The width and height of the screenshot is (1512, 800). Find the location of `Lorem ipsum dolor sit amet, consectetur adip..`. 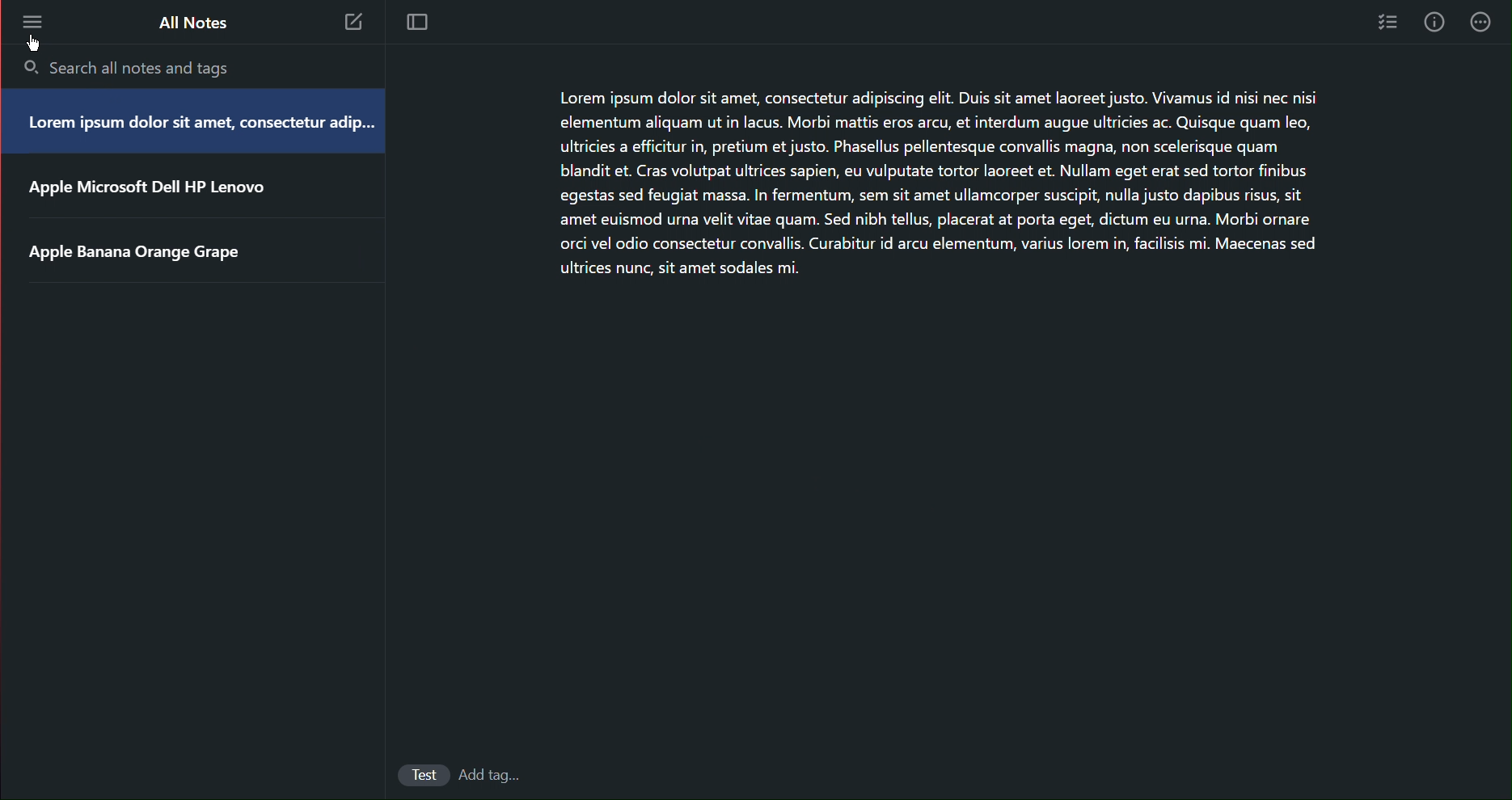

Lorem ipsum dolor sit amet, consectetur adip.. is located at coordinates (195, 124).